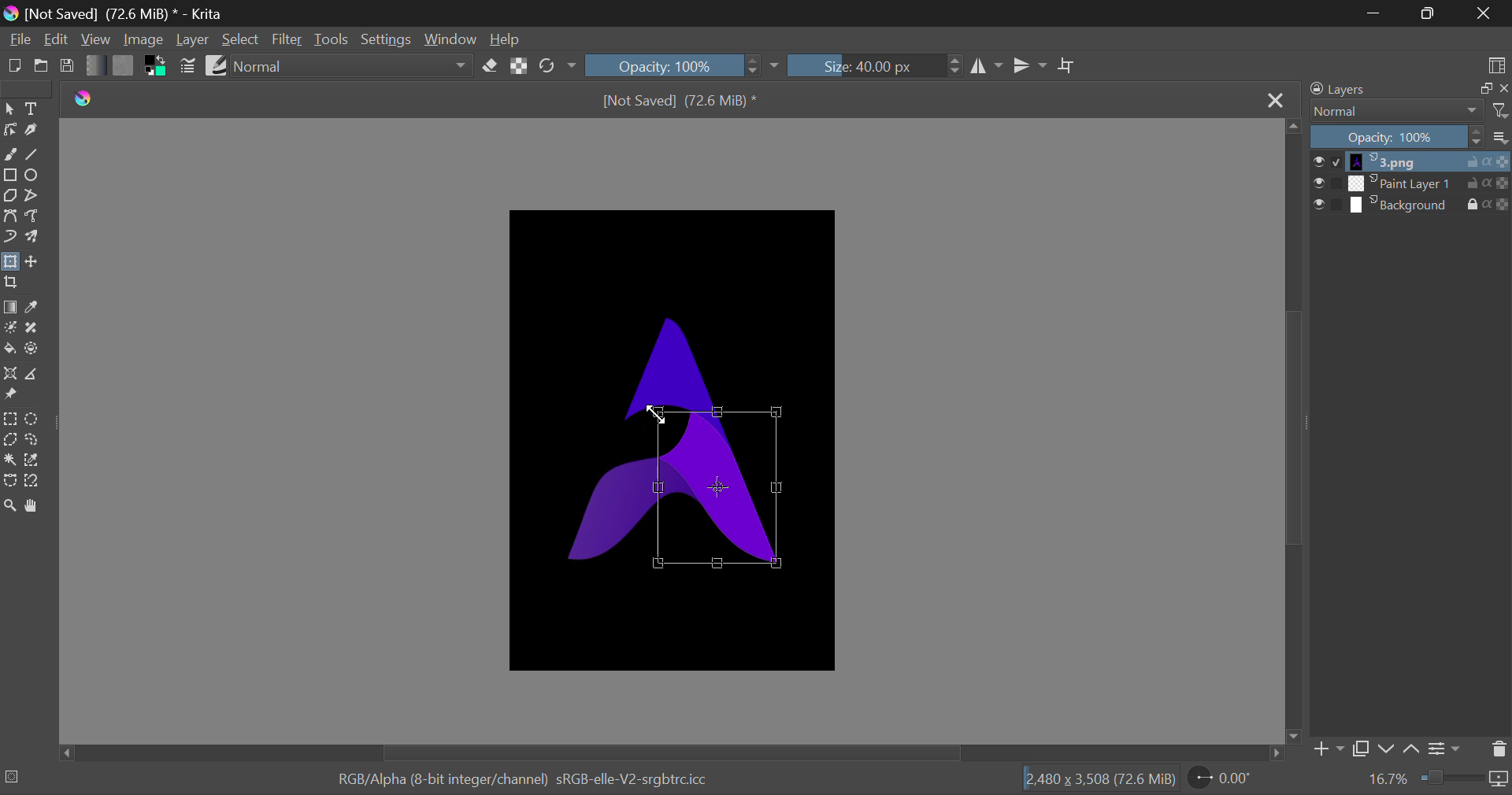 The width and height of the screenshot is (1512, 795). I want to click on Vertical Mirror Flip, so click(988, 66).